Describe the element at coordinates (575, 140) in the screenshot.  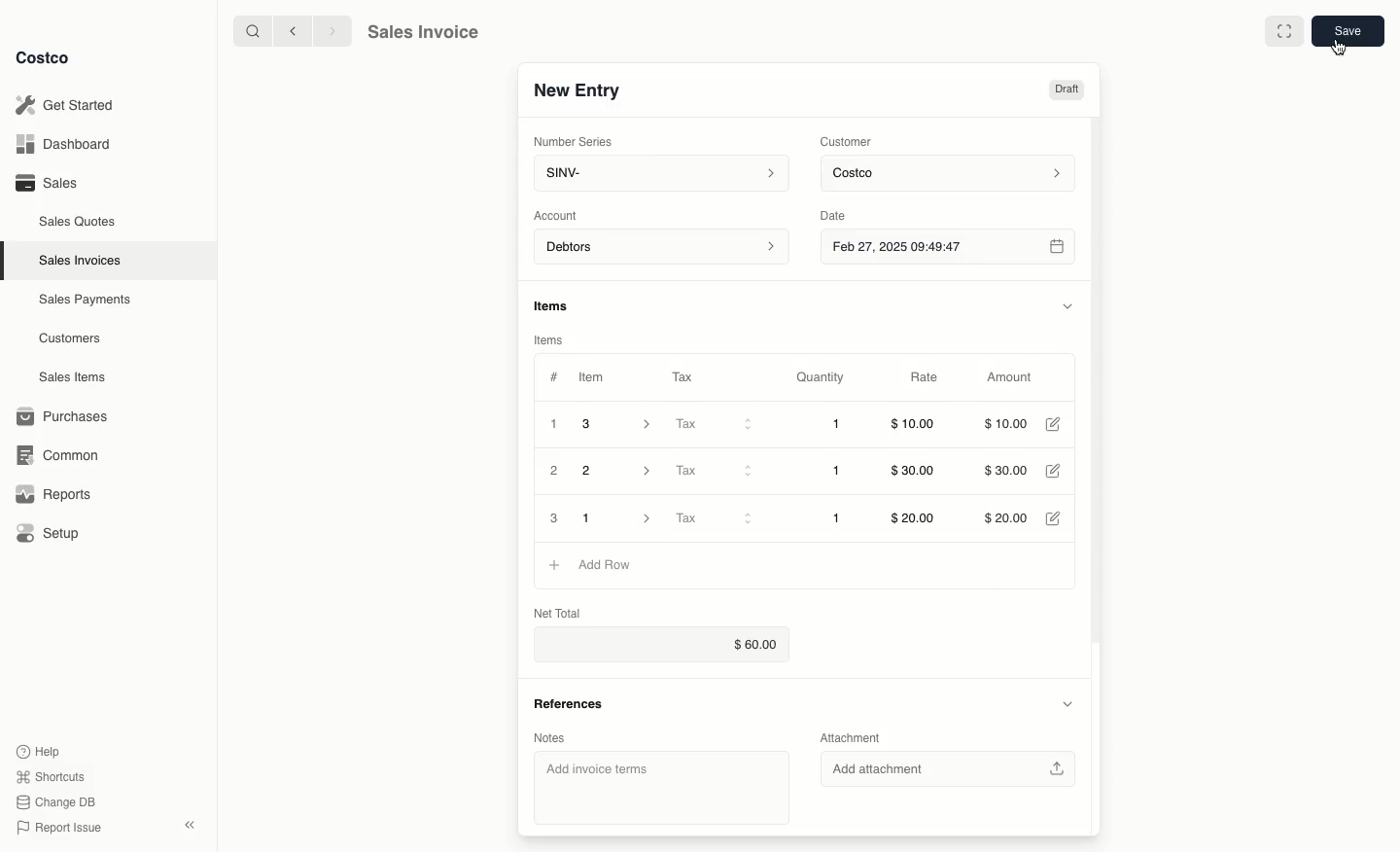
I see `Number Series` at that location.